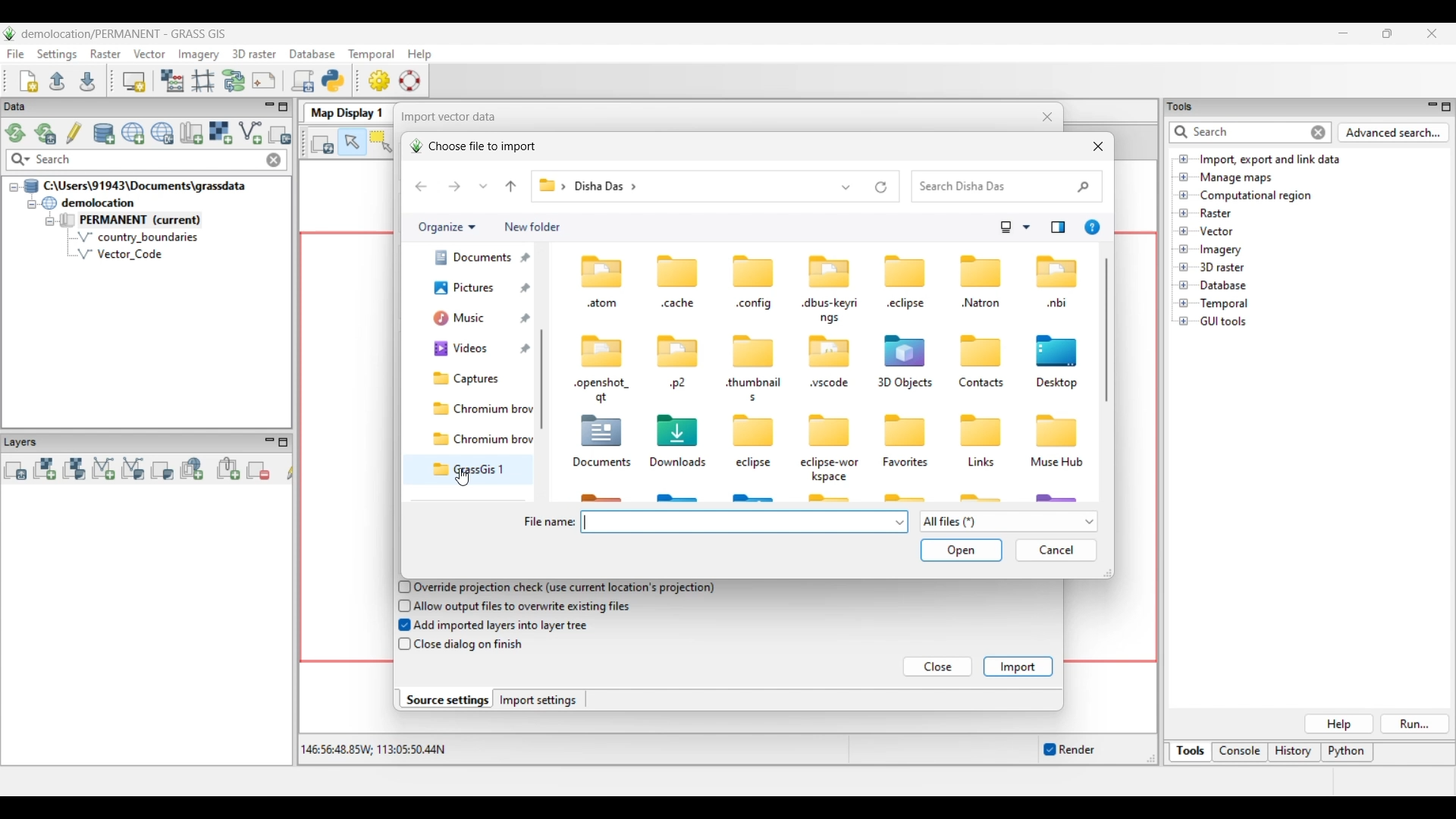  What do you see at coordinates (16, 133) in the screenshot?
I see `Reload GRASS projects` at bounding box center [16, 133].